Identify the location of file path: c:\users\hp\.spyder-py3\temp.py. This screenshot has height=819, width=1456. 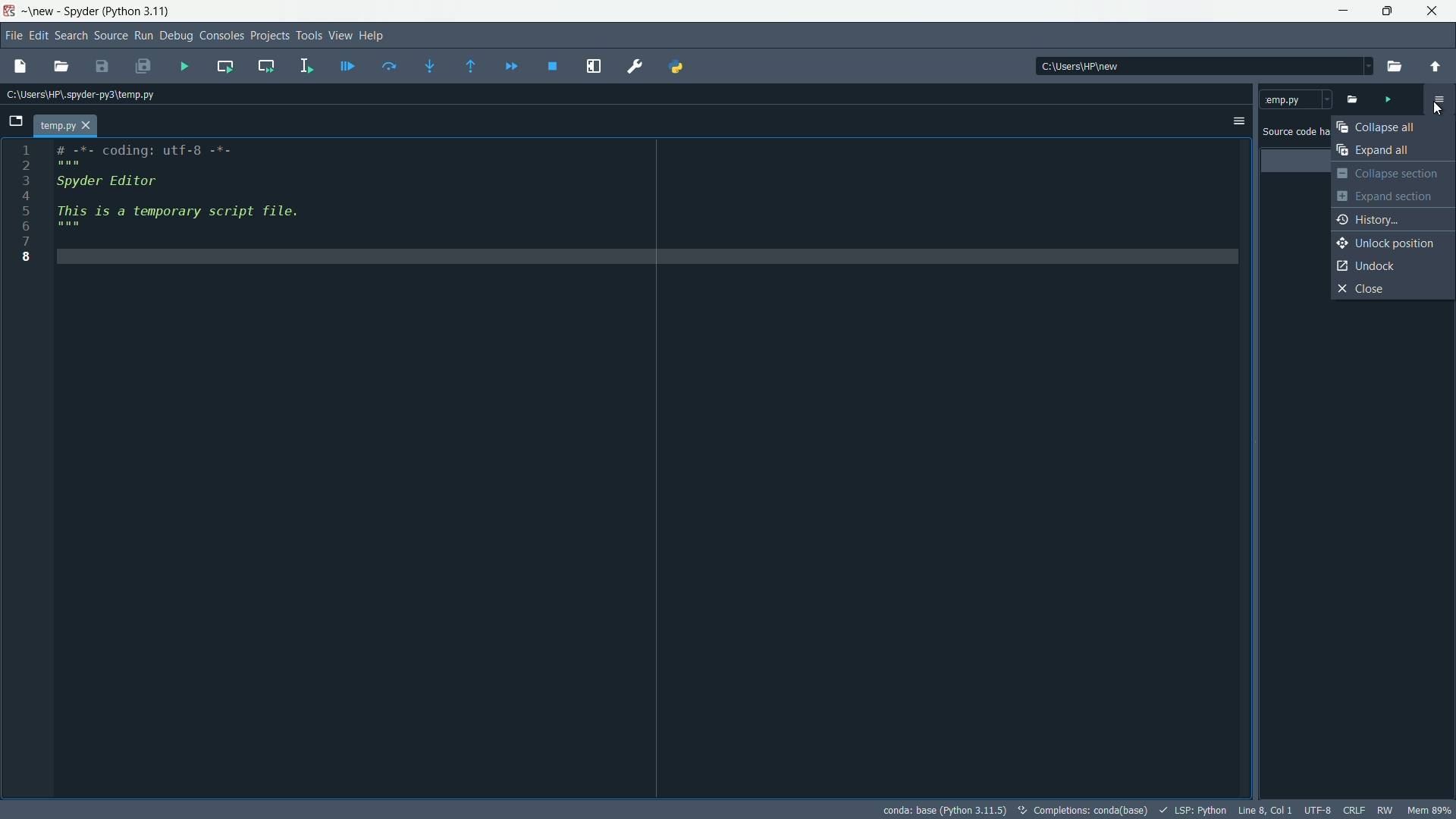
(80, 96).